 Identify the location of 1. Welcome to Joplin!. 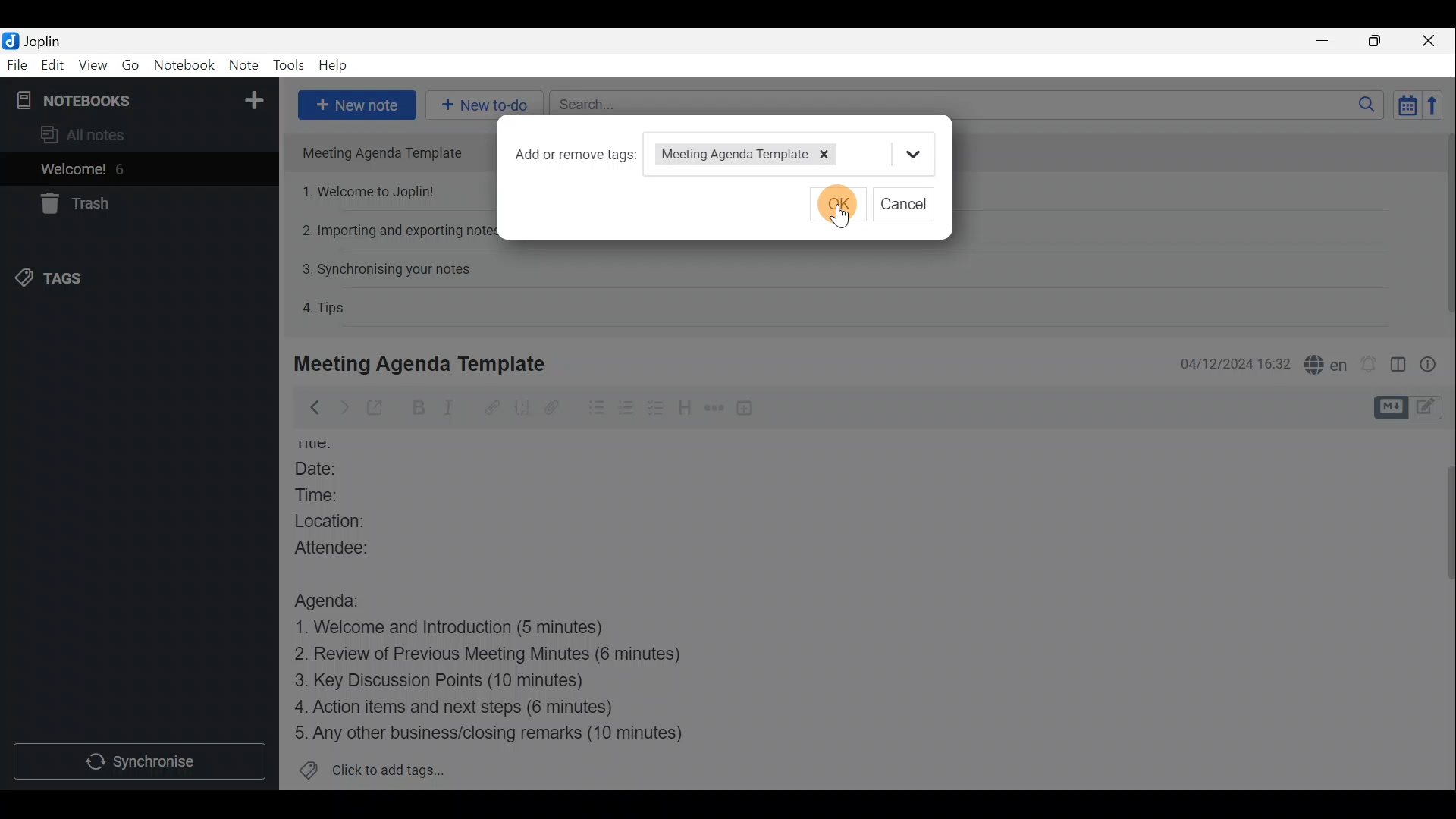
(373, 191).